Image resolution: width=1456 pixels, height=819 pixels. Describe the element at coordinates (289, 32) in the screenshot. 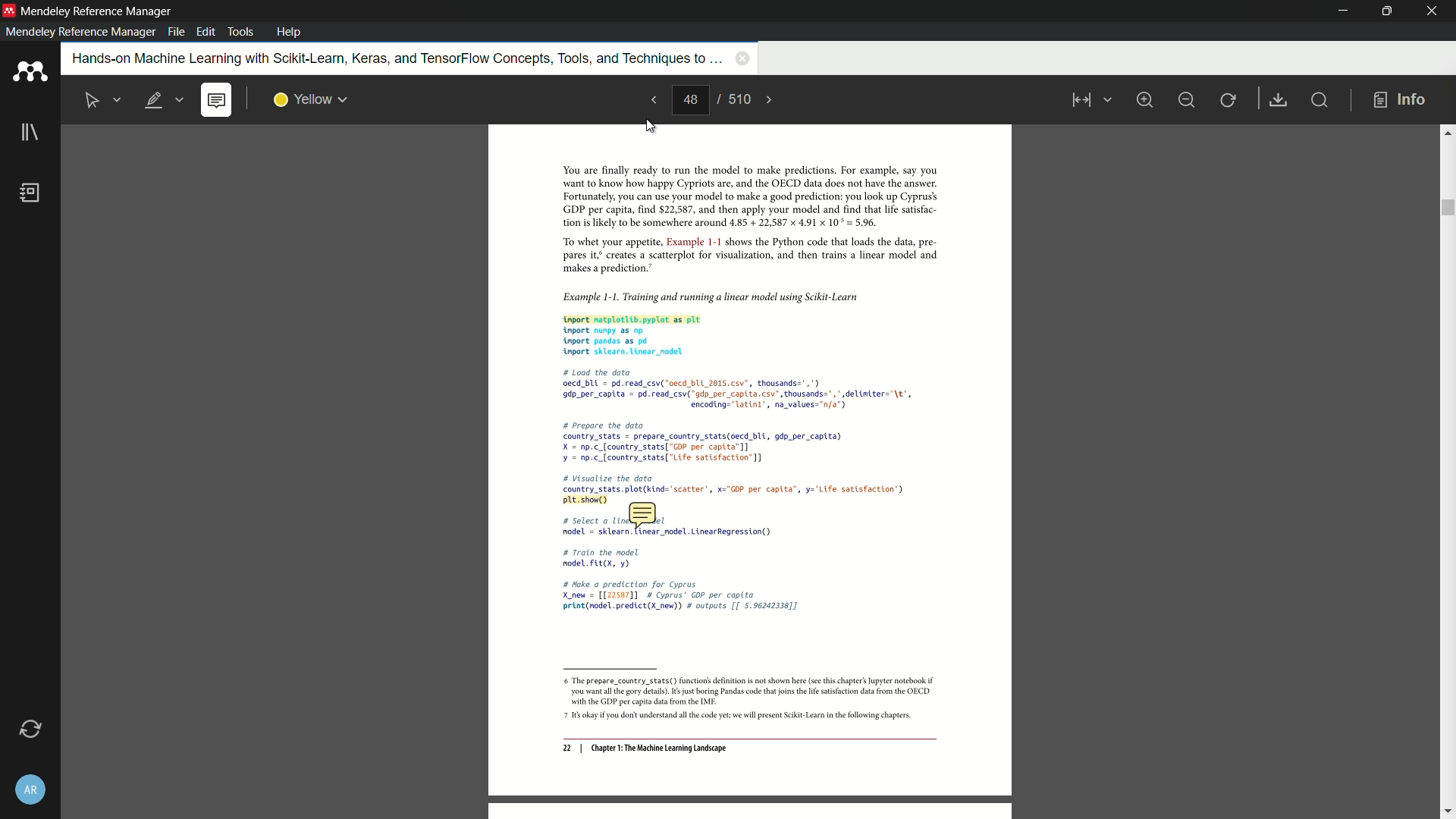

I see `help menu` at that location.